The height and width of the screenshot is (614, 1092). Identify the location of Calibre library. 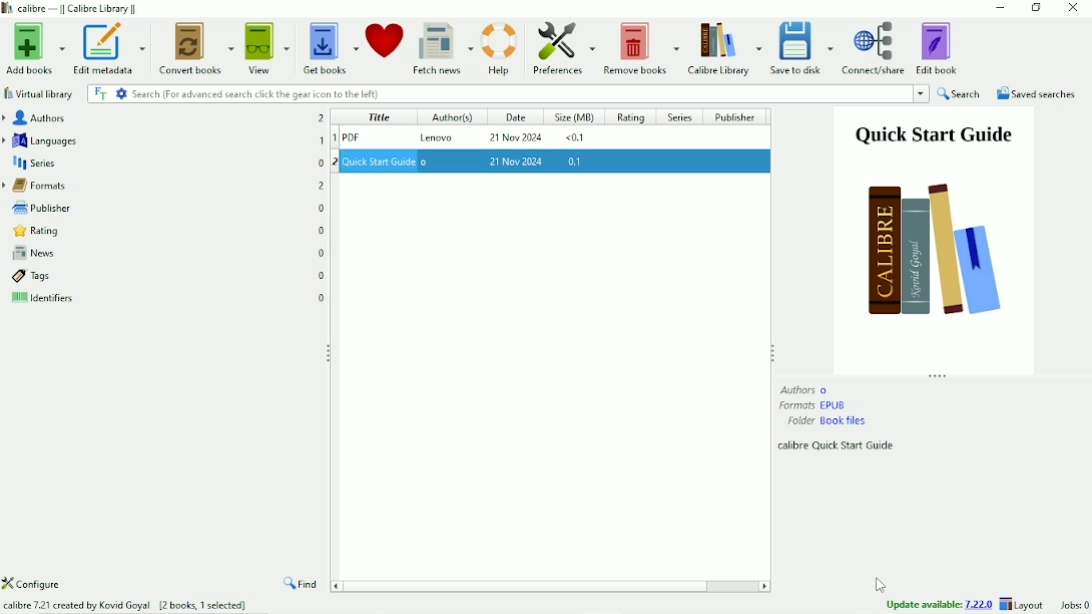
(724, 47).